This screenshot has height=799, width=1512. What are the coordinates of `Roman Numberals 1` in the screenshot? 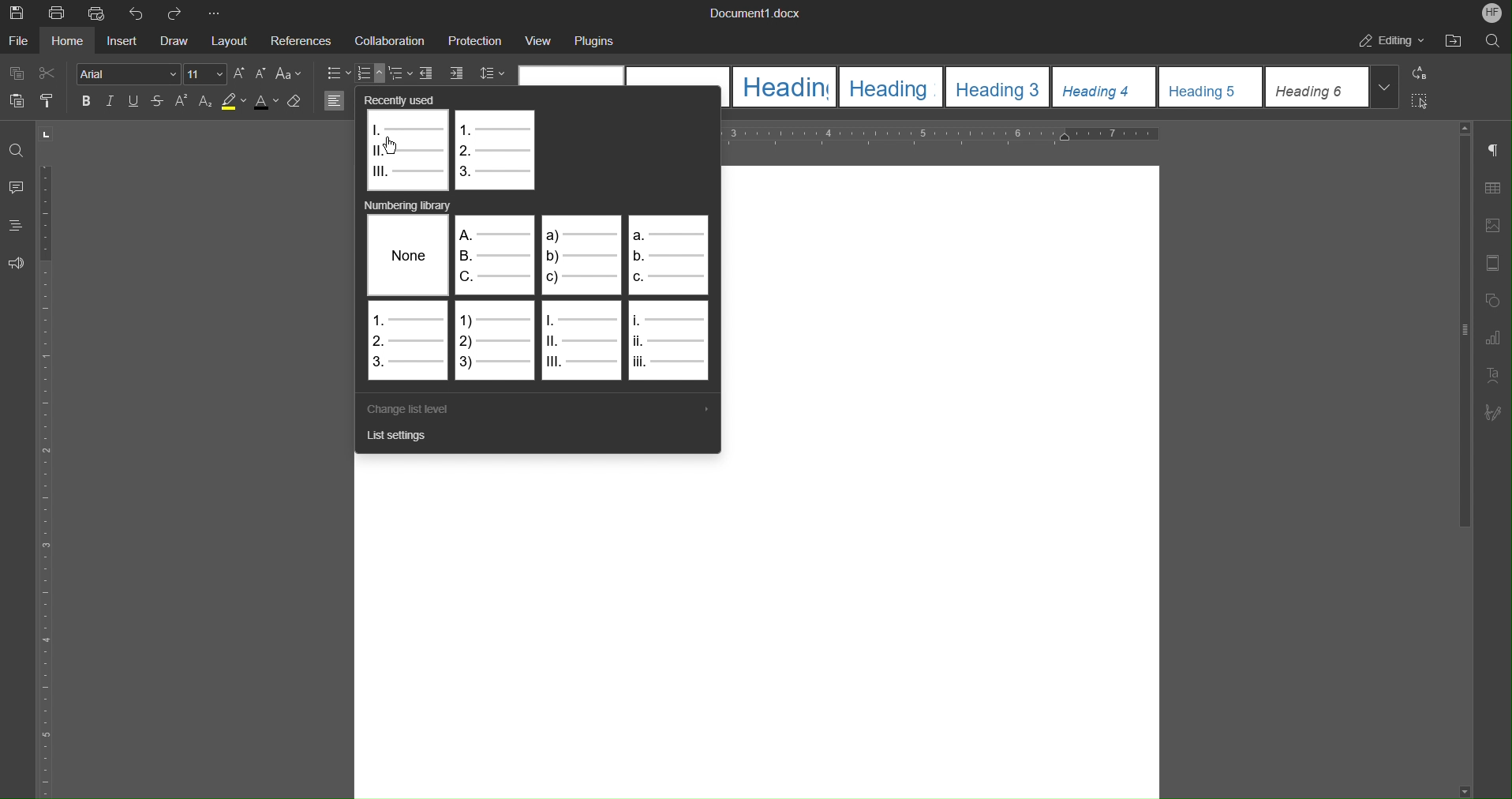 It's located at (582, 341).